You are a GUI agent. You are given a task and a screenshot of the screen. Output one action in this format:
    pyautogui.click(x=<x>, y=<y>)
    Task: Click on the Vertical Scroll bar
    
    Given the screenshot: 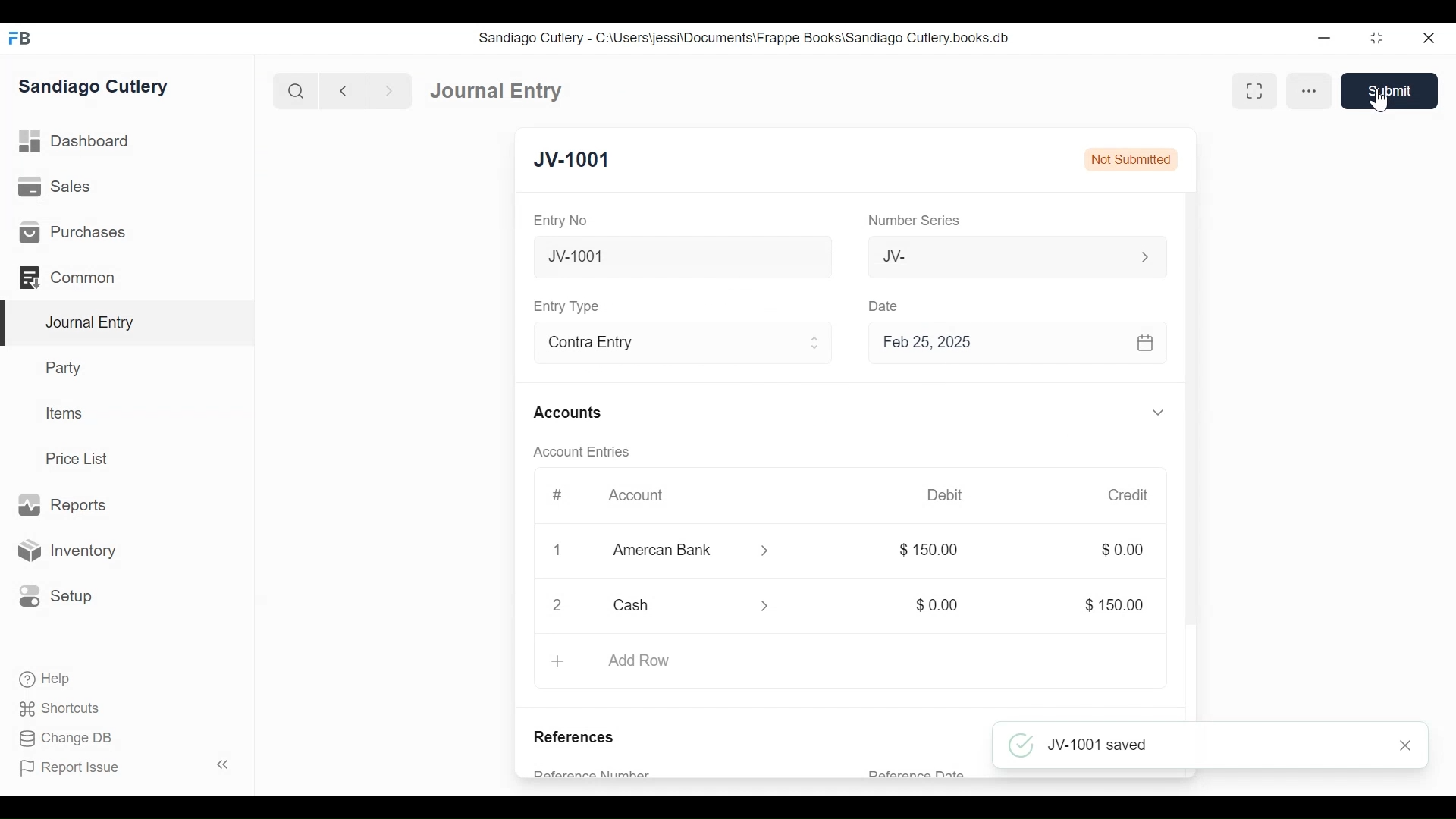 What is the action you would take?
    pyautogui.click(x=1193, y=431)
    